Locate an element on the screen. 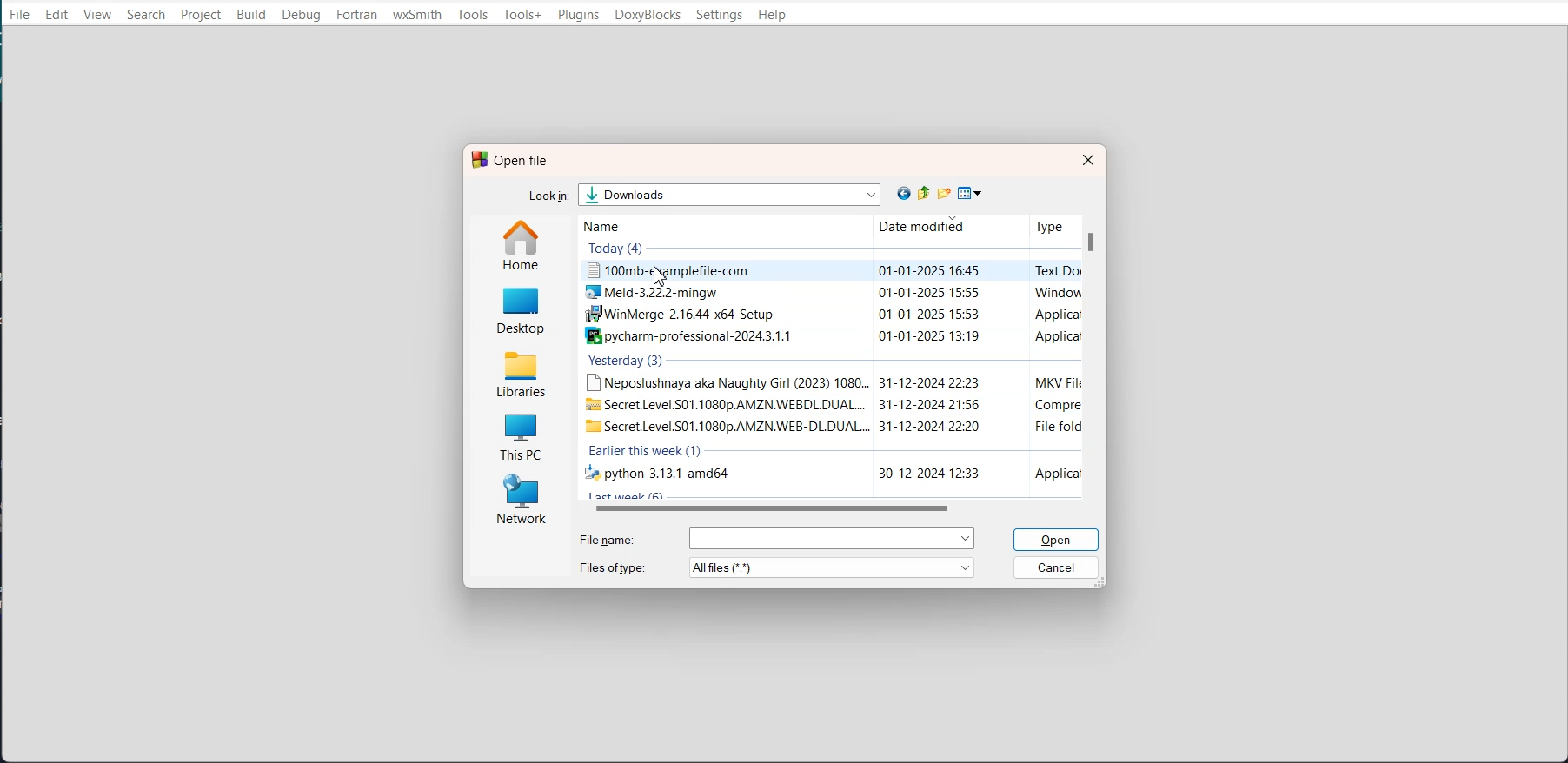 This screenshot has height=763, width=1568. Cancel is located at coordinates (1058, 567).